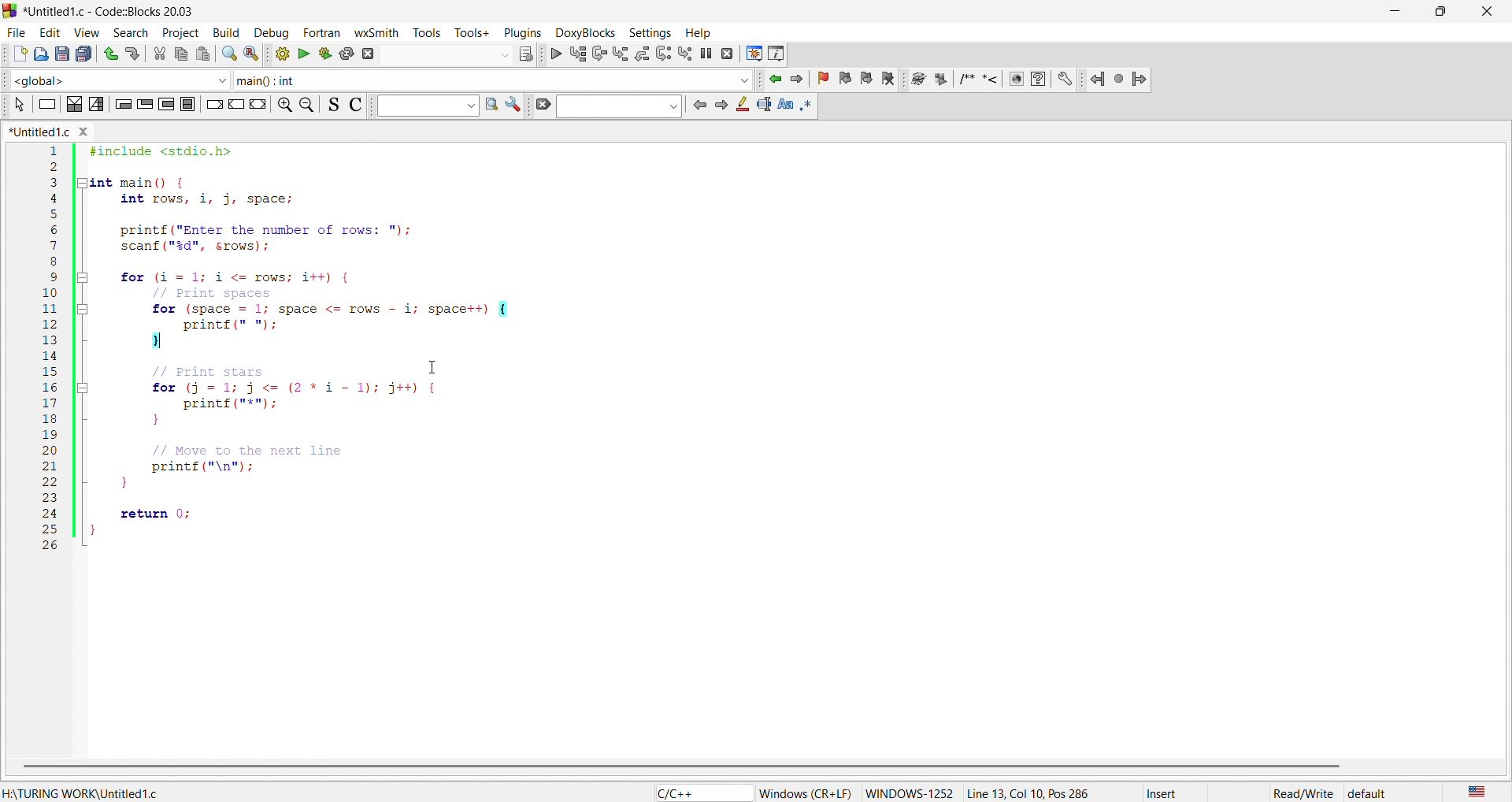  Describe the element at coordinates (424, 34) in the screenshot. I see `tools` at that location.